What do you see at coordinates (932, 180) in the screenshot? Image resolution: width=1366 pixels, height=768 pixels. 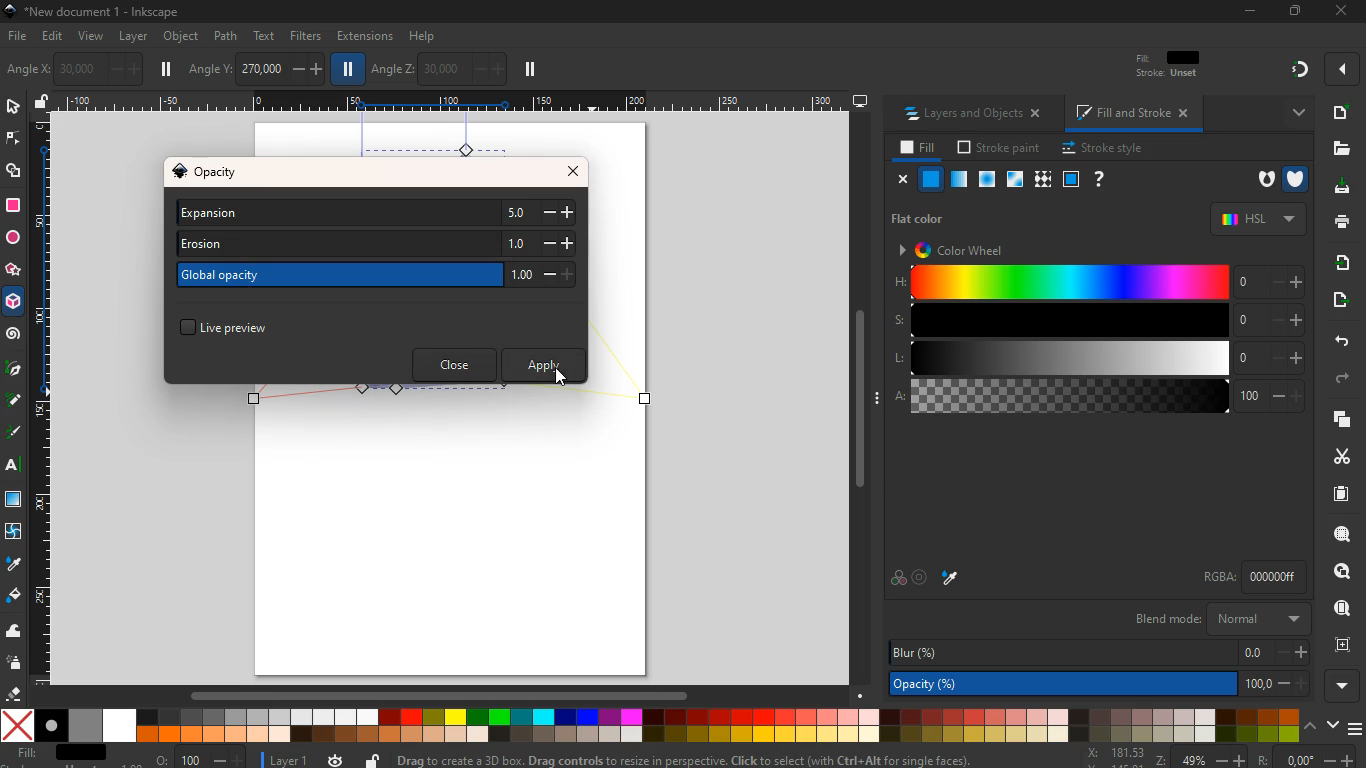 I see `normal` at bounding box center [932, 180].